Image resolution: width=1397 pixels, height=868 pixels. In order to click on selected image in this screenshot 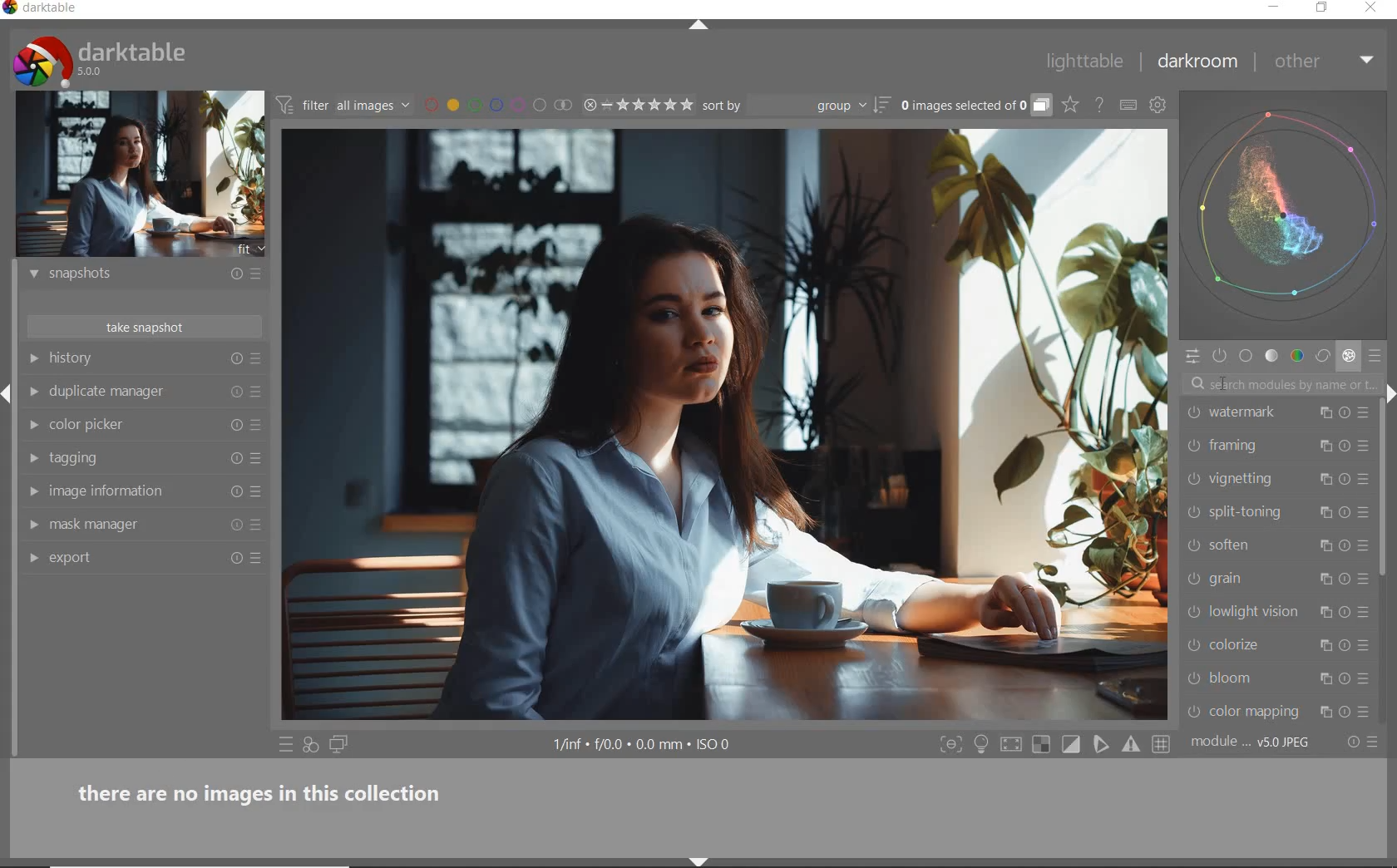, I will do `click(723, 422)`.